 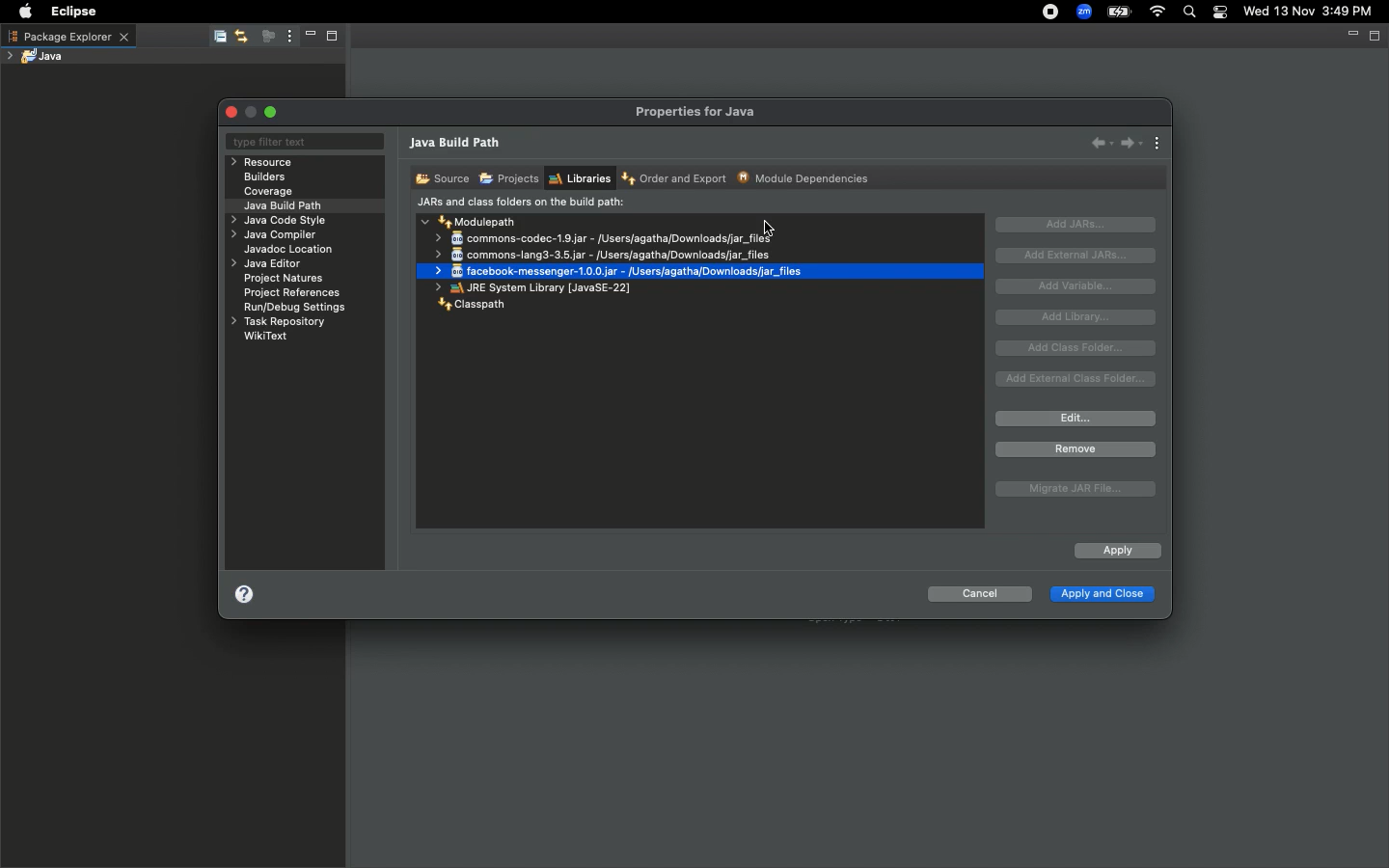 I want to click on Add class folder, so click(x=1077, y=348).